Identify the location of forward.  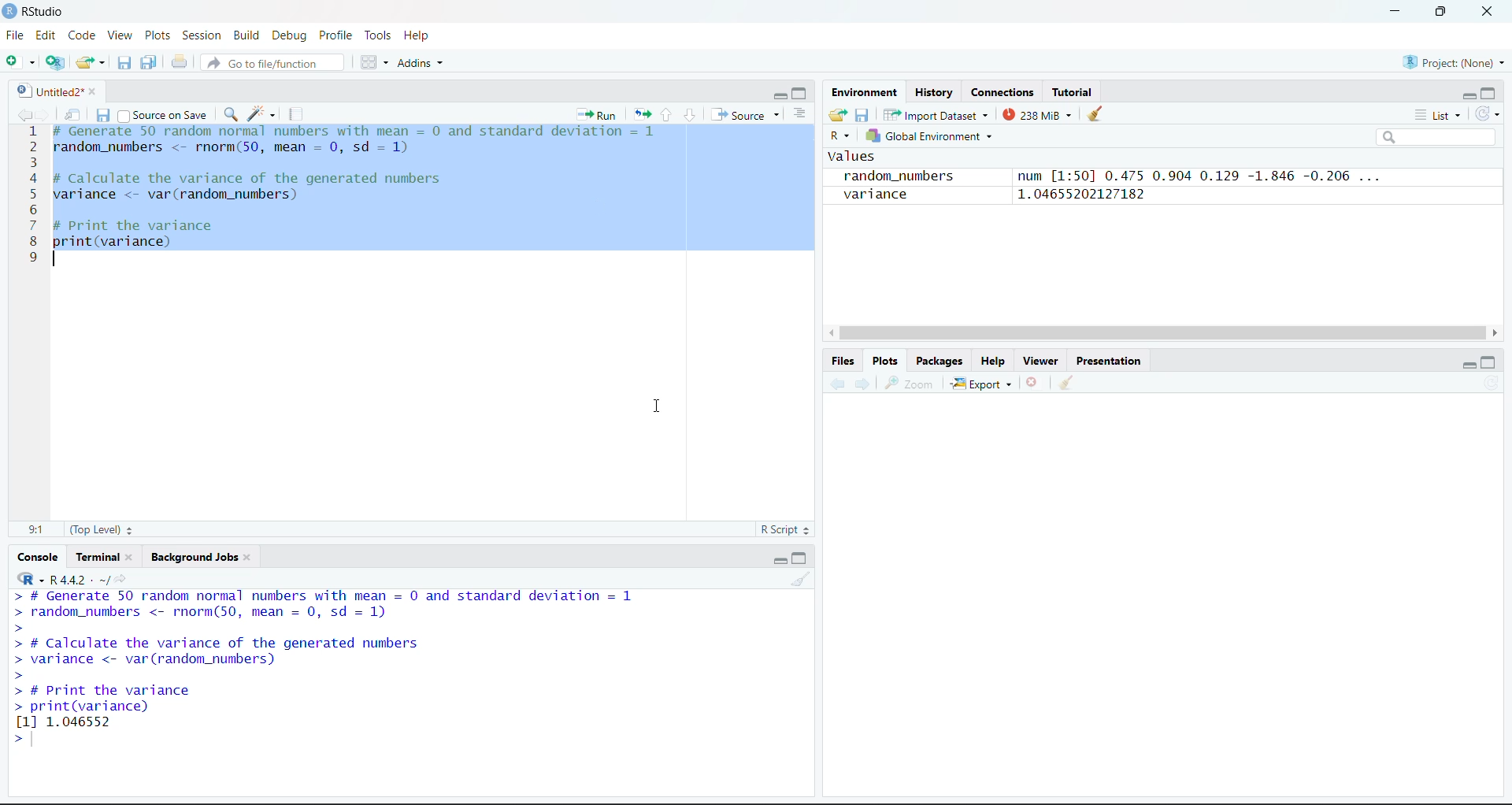
(863, 384).